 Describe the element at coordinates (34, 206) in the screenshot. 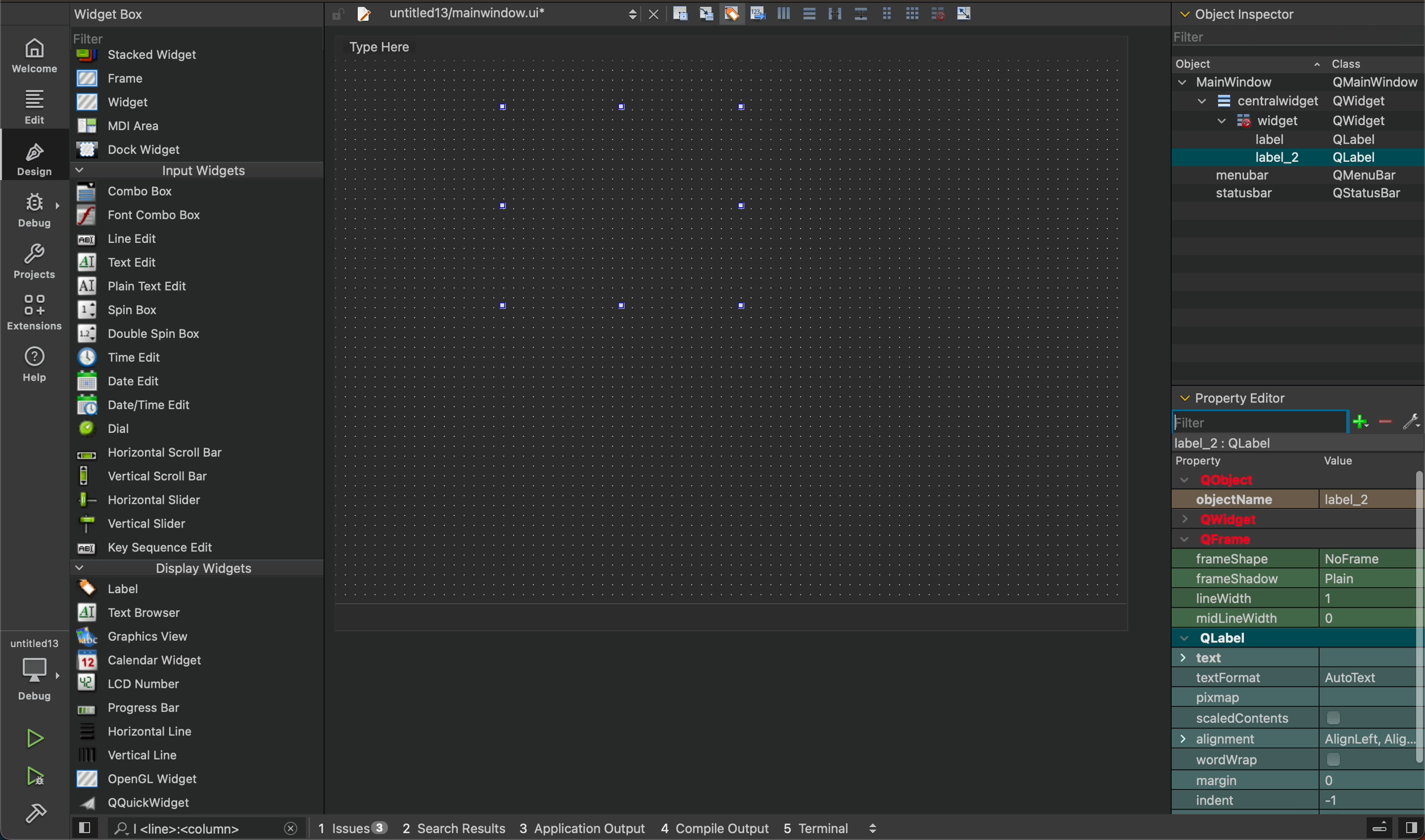

I see `debug` at that location.